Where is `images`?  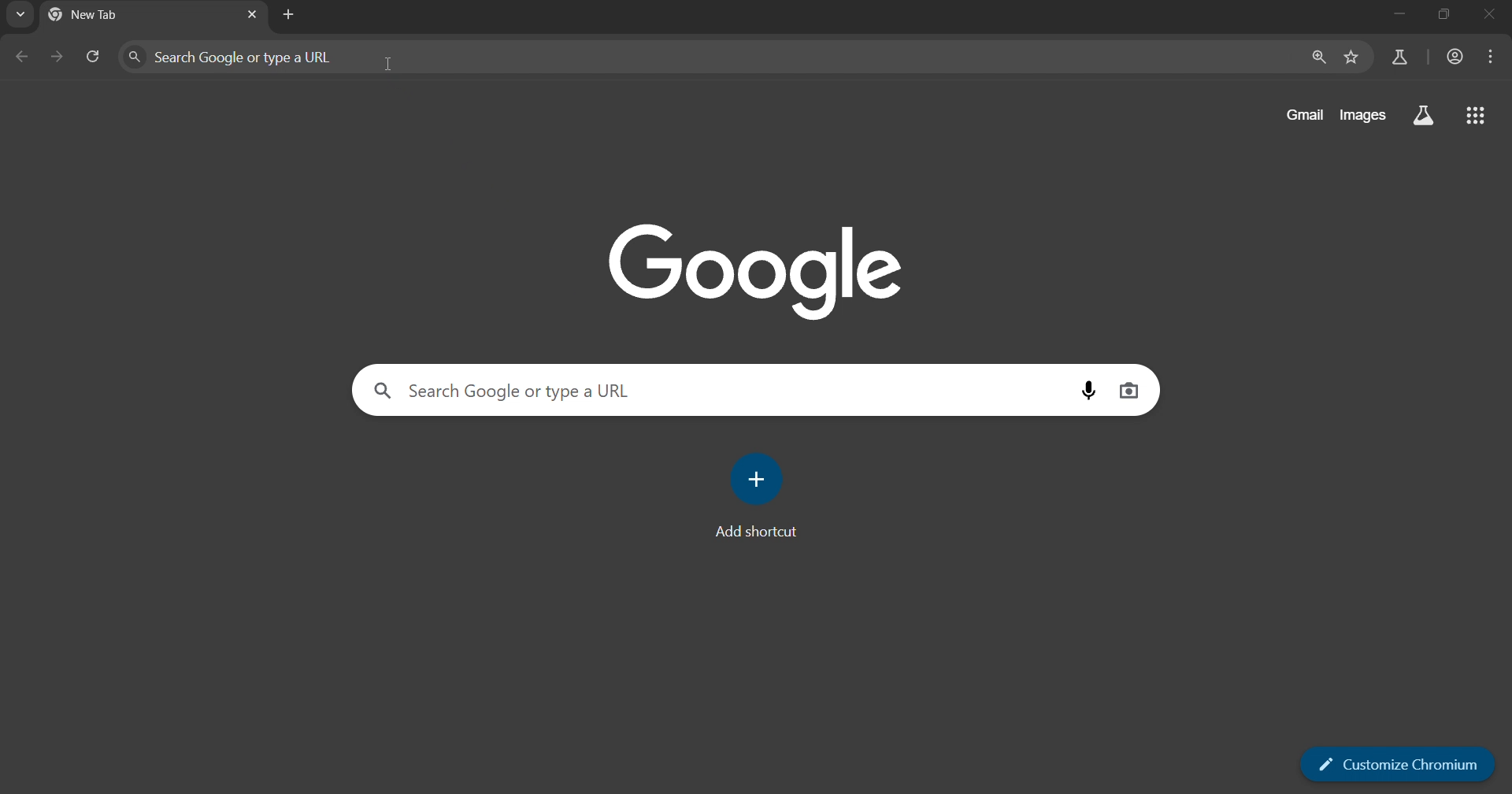
images is located at coordinates (1366, 115).